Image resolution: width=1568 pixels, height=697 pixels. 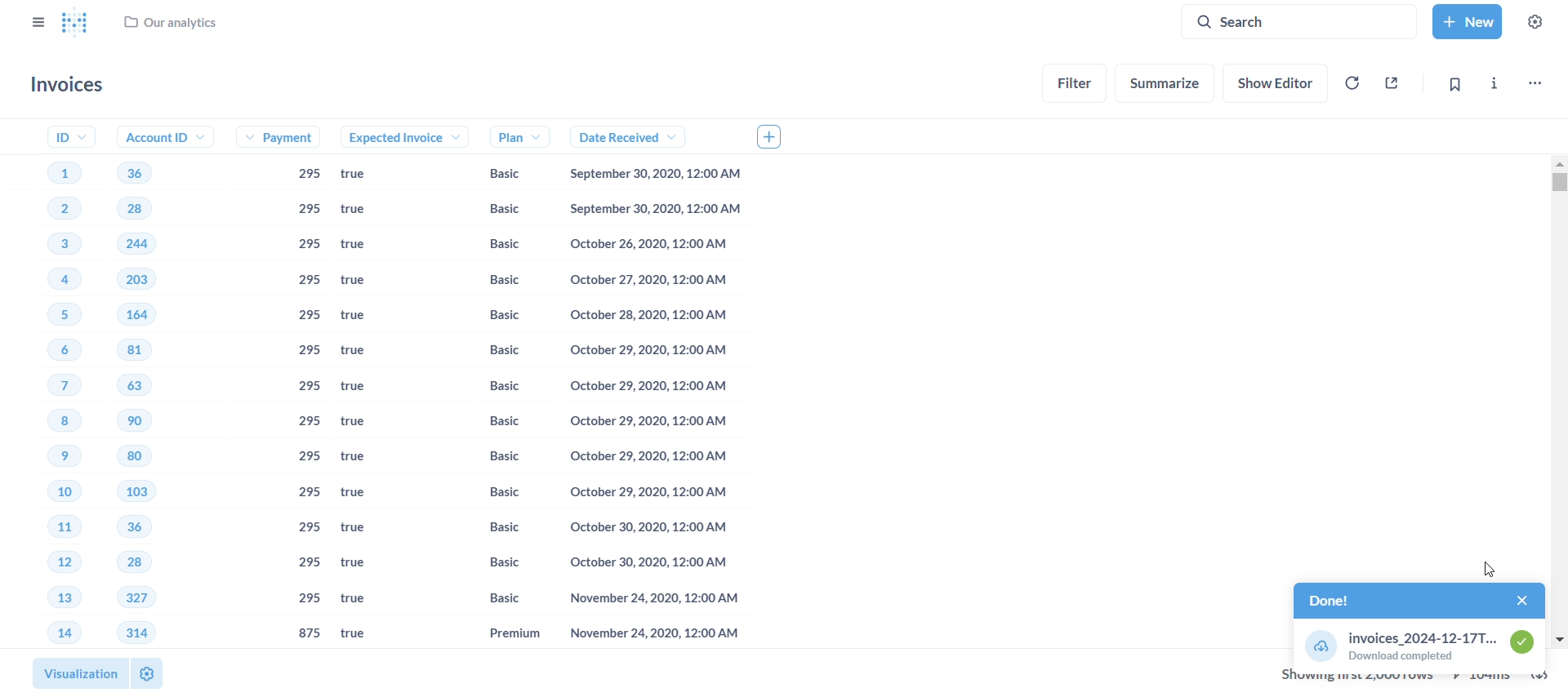 What do you see at coordinates (645, 424) in the screenshot?
I see `October 29,2020, 12:00 AM` at bounding box center [645, 424].